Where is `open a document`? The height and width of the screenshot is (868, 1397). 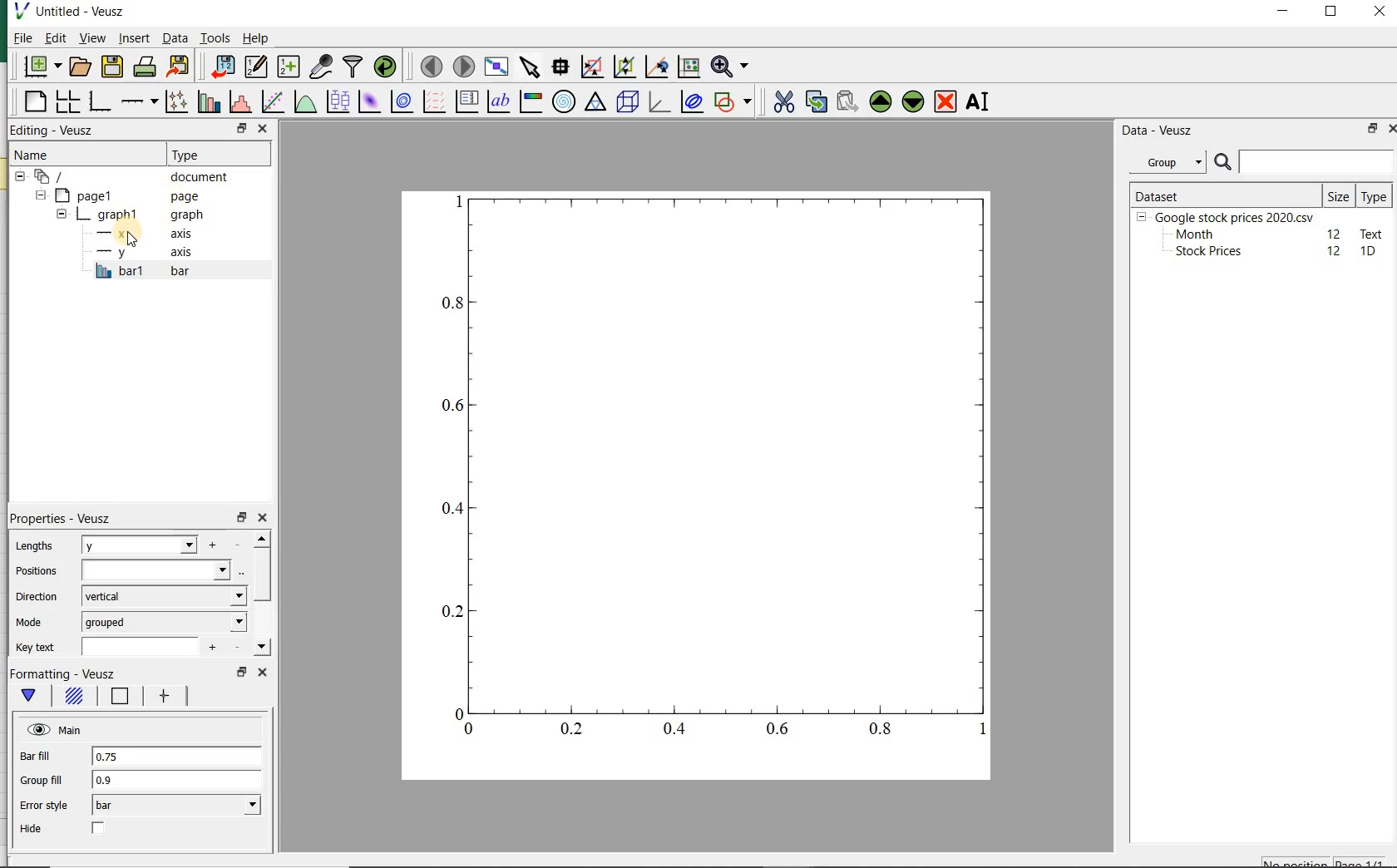 open a document is located at coordinates (81, 66).